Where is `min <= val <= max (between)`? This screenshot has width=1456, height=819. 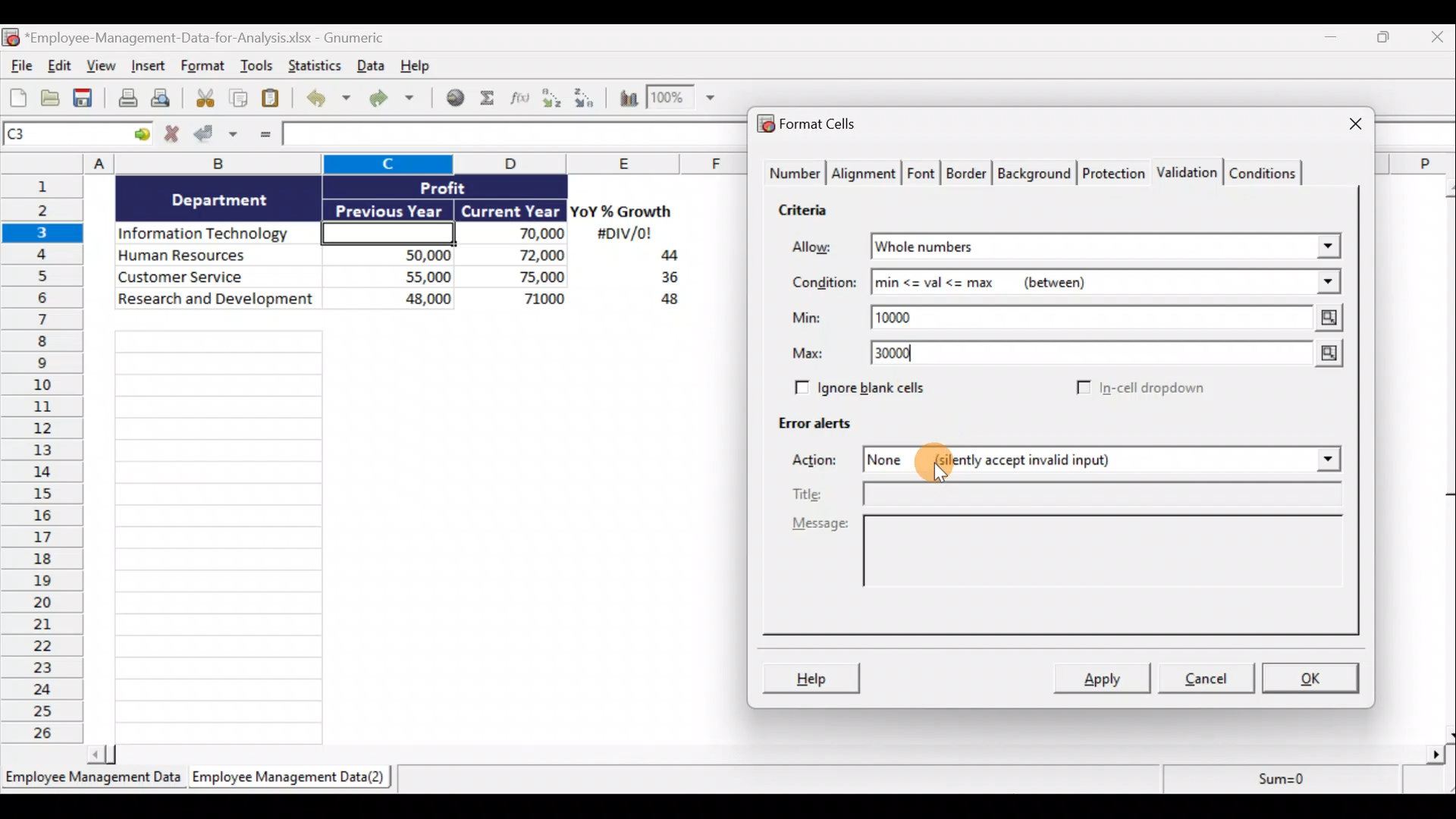
min <= val <= max (between) is located at coordinates (1086, 285).